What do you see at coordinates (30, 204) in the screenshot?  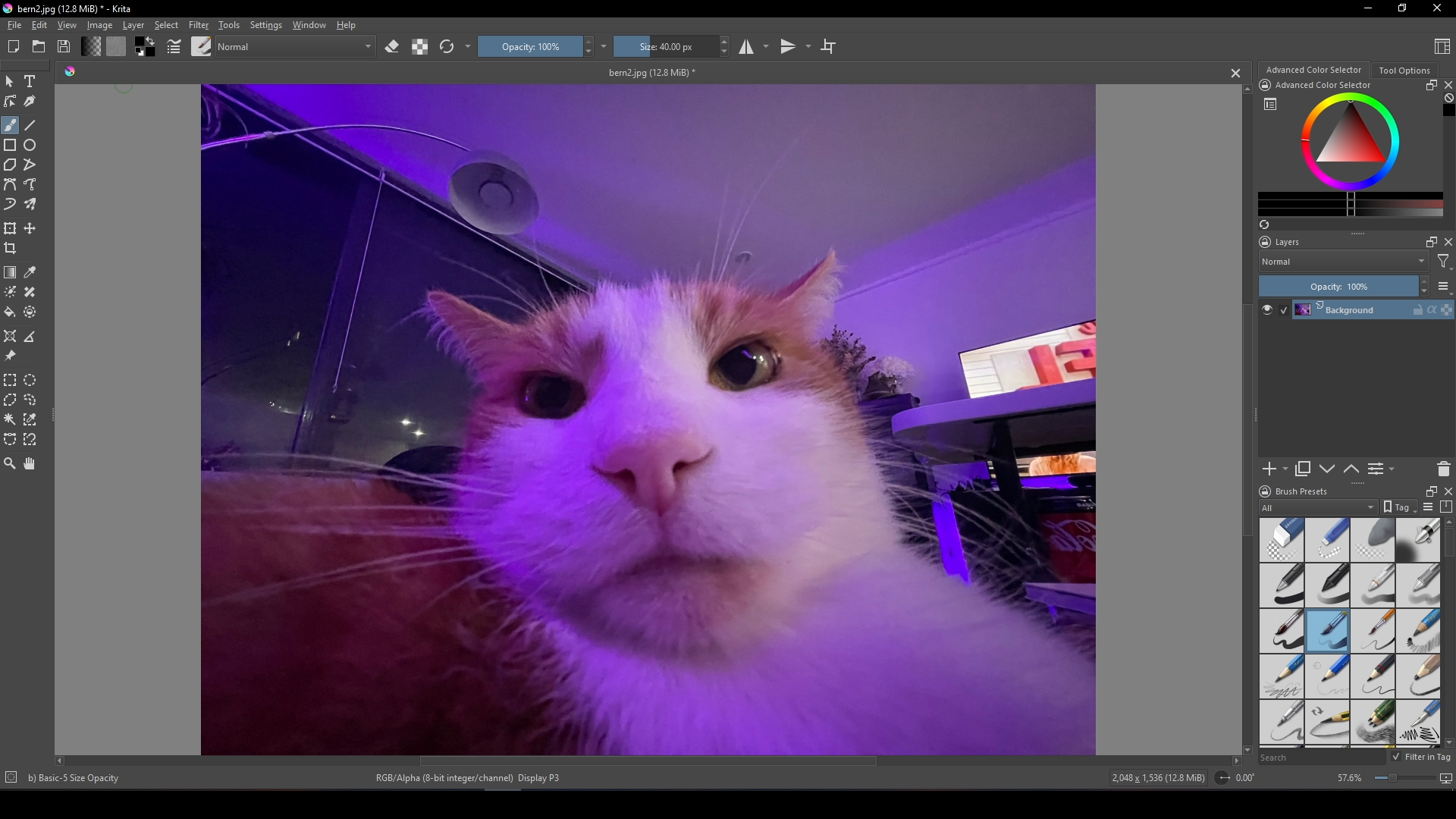 I see `Multibrush tool` at bounding box center [30, 204].